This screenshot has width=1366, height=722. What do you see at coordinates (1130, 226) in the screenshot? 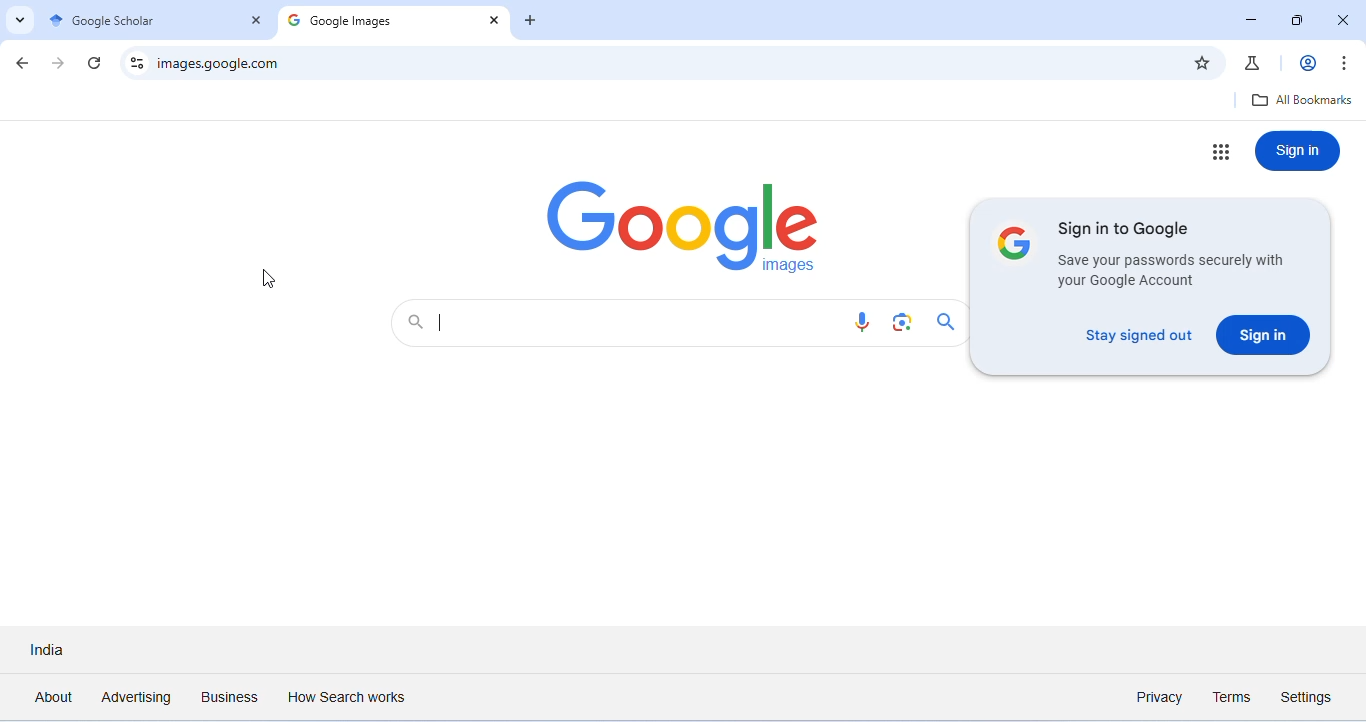
I see `sign in to google` at bounding box center [1130, 226].